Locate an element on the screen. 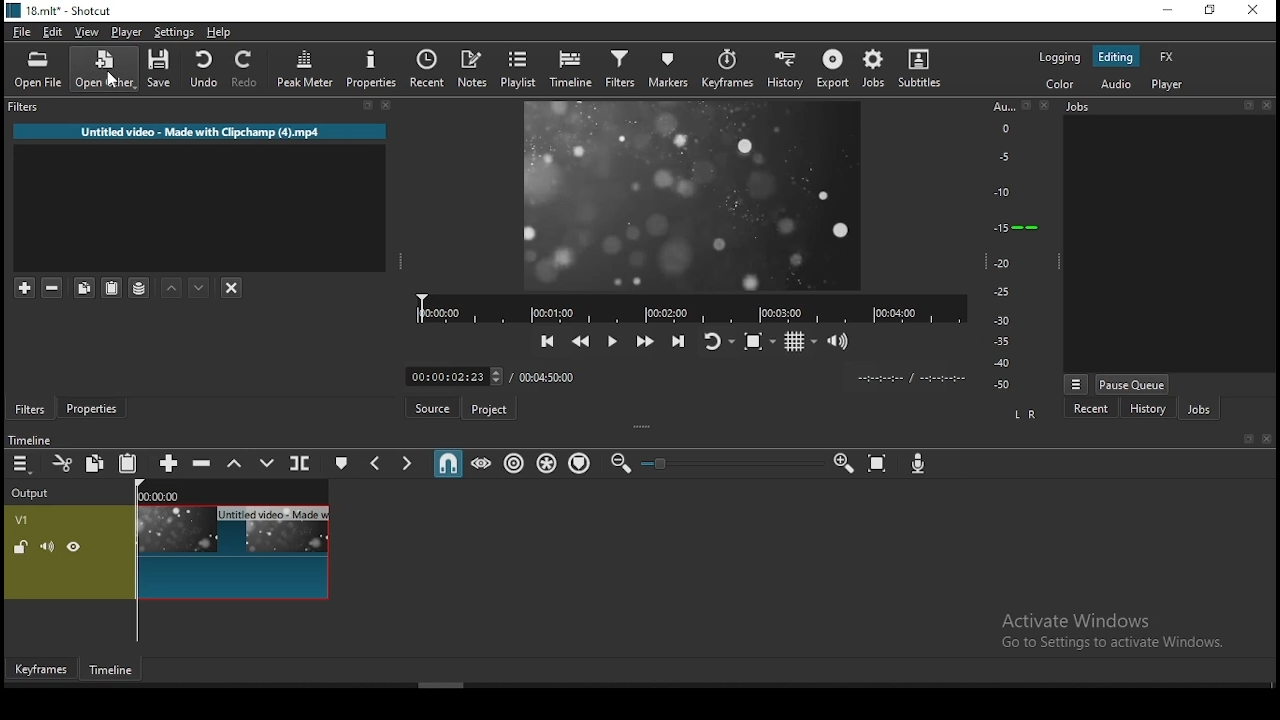 The width and height of the screenshot is (1280, 720). view is located at coordinates (87, 31).